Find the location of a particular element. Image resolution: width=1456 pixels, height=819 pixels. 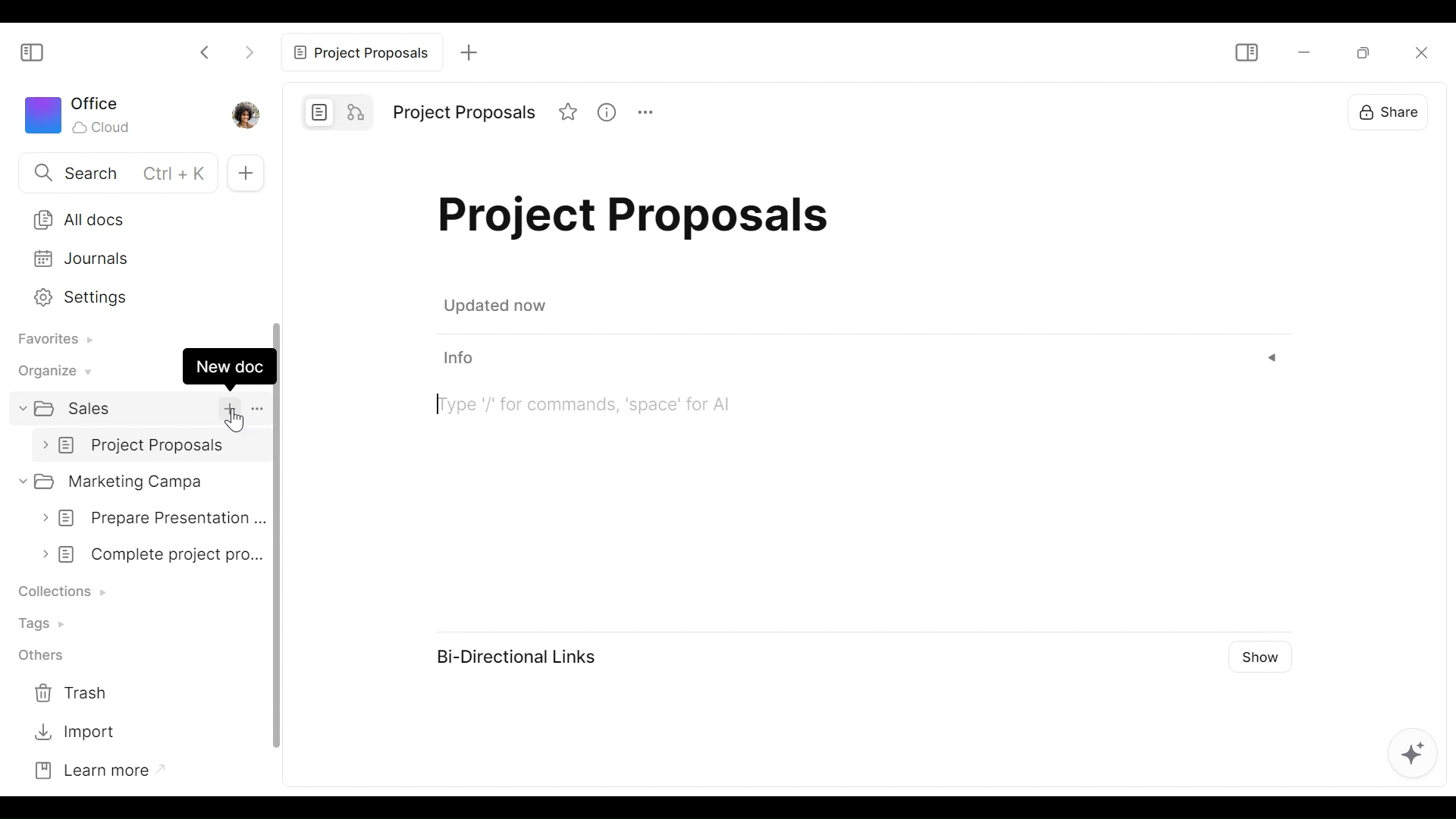

All Docs is located at coordinates (134, 219).